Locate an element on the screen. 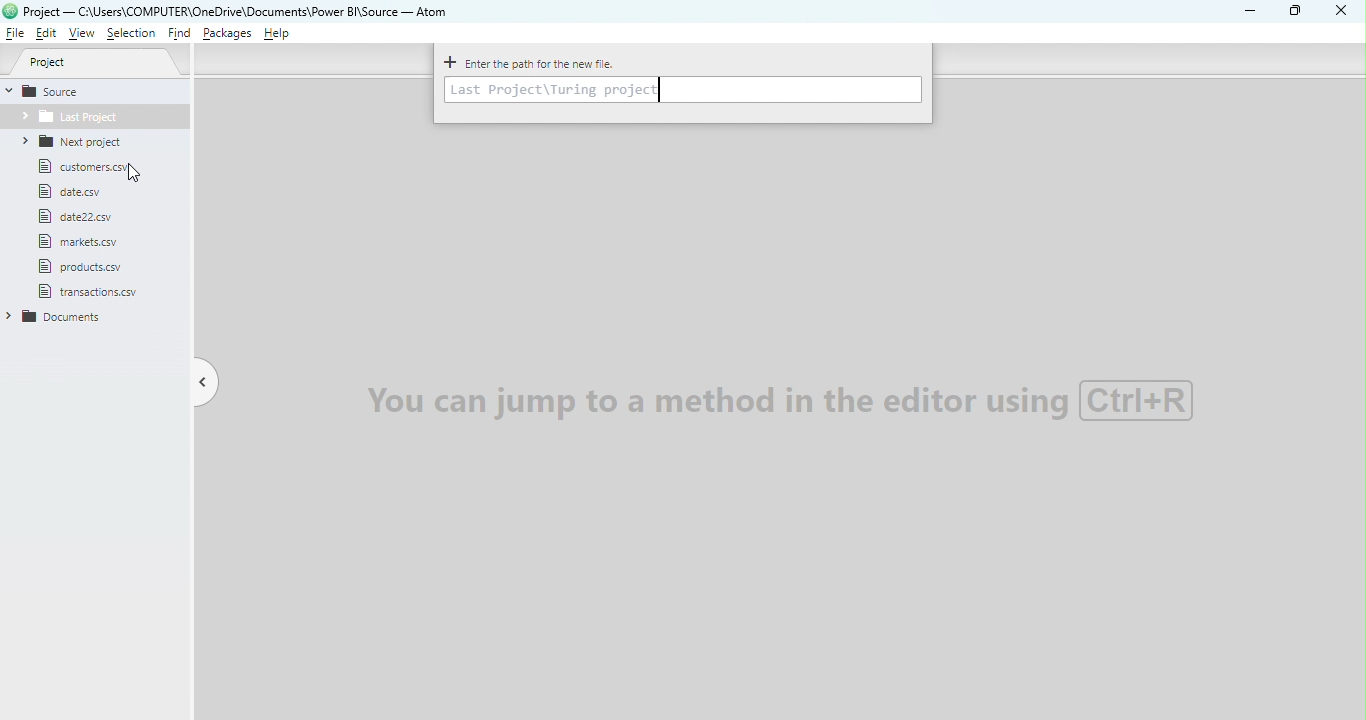  File is located at coordinates (91, 168).